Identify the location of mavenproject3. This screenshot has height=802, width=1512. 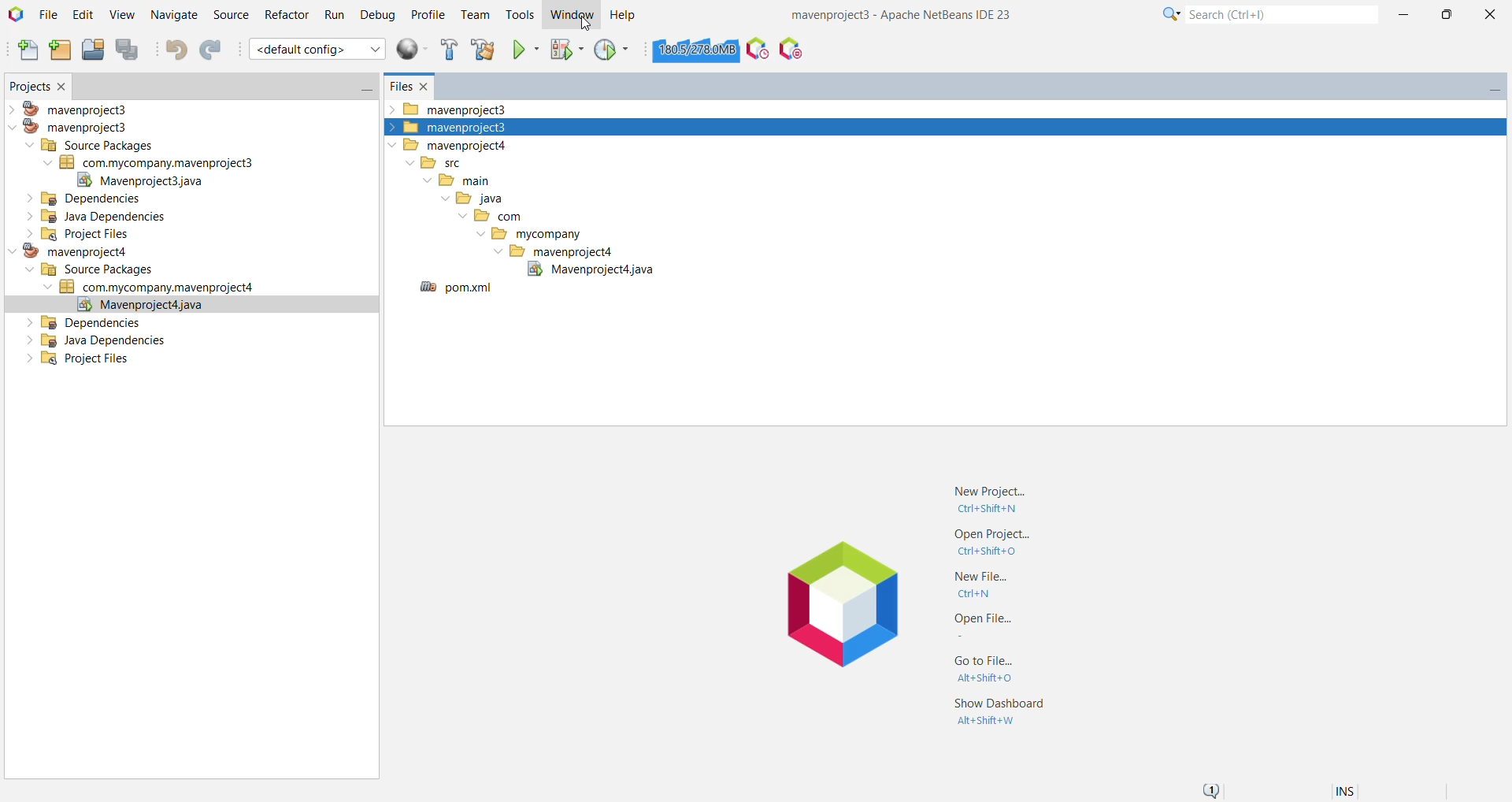
(72, 128).